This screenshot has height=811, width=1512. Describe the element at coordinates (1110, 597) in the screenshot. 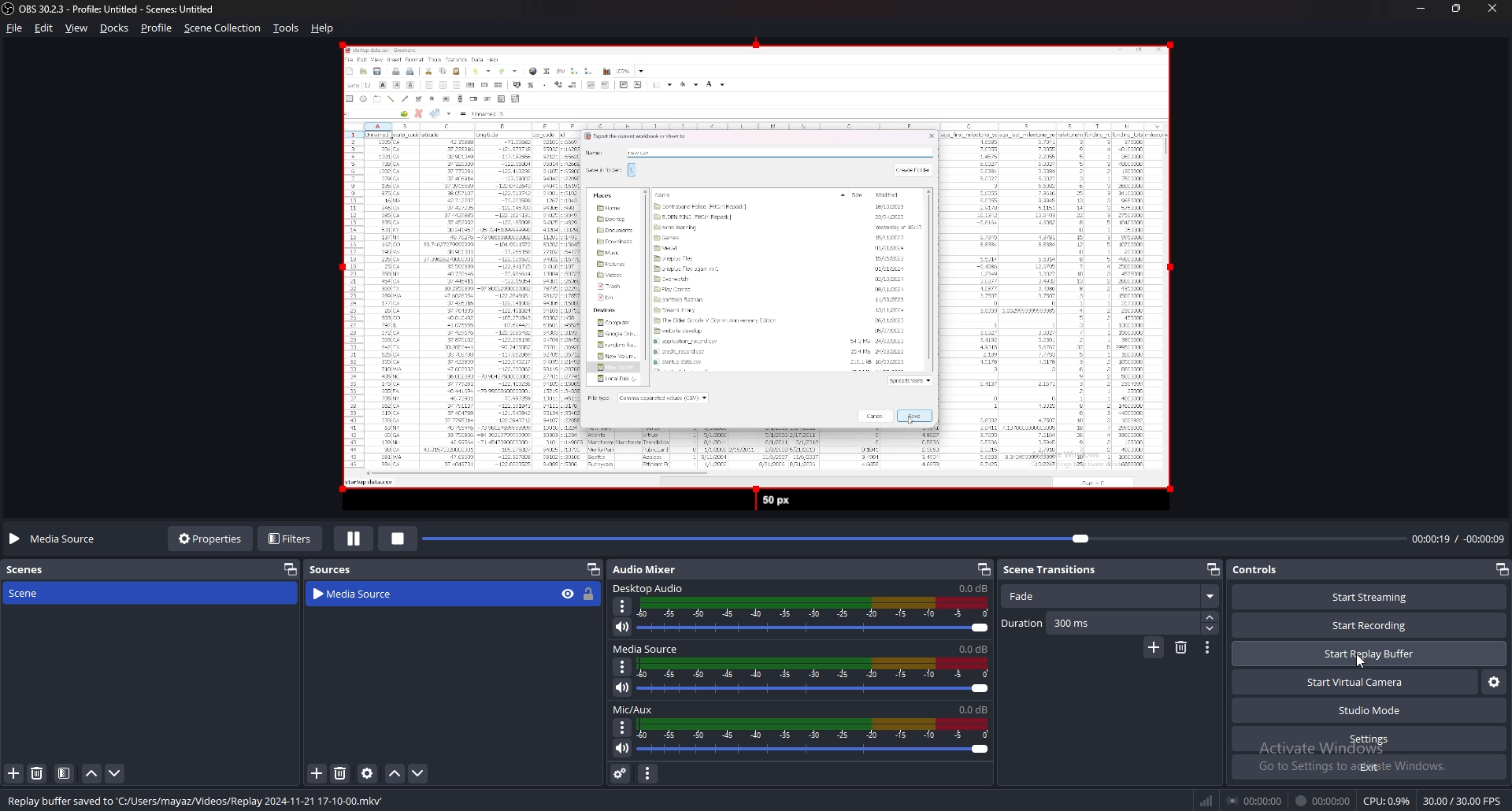

I see `fade` at that location.